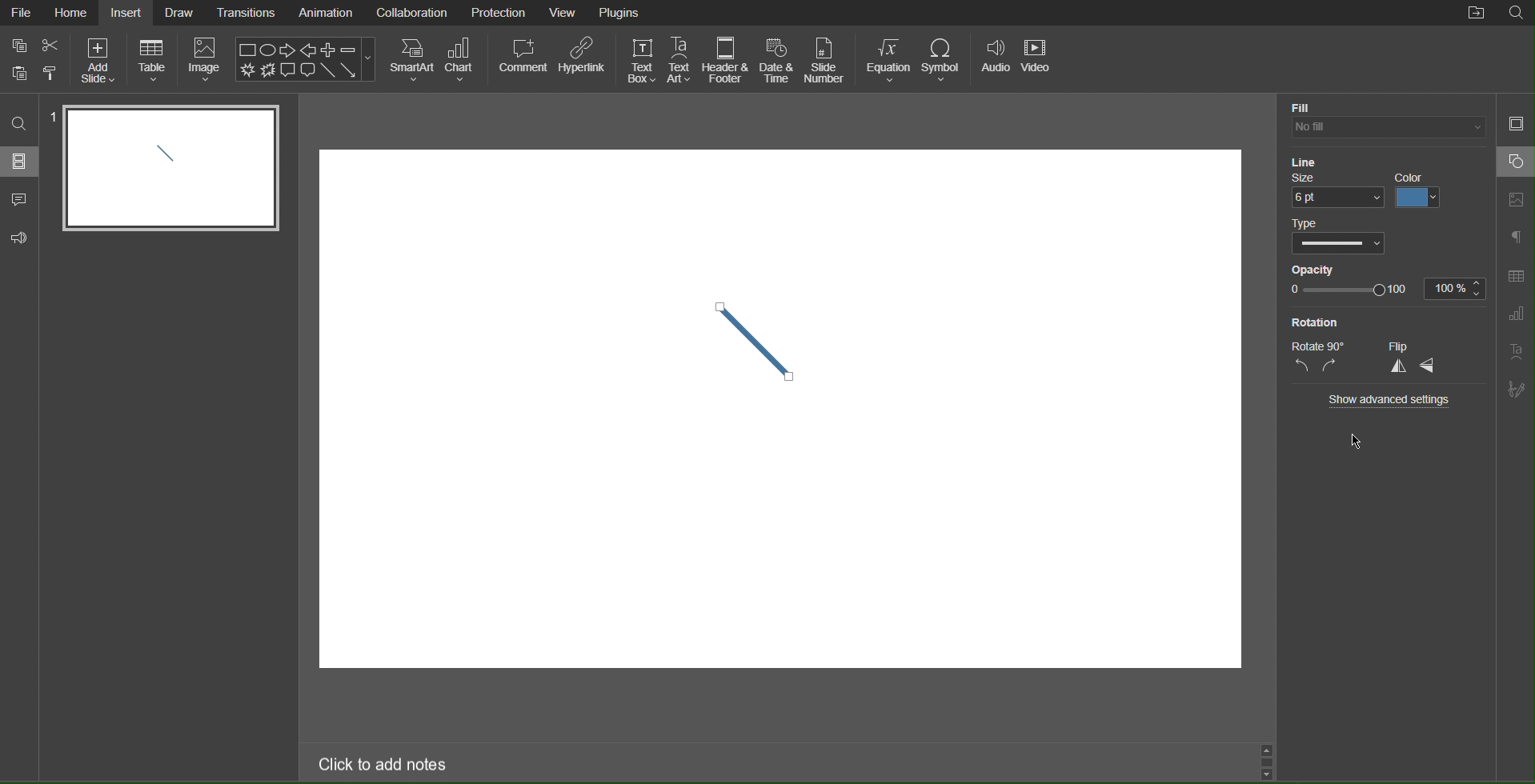 This screenshot has height=784, width=1535. What do you see at coordinates (1385, 127) in the screenshot?
I see `No fill` at bounding box center [1385, 127].